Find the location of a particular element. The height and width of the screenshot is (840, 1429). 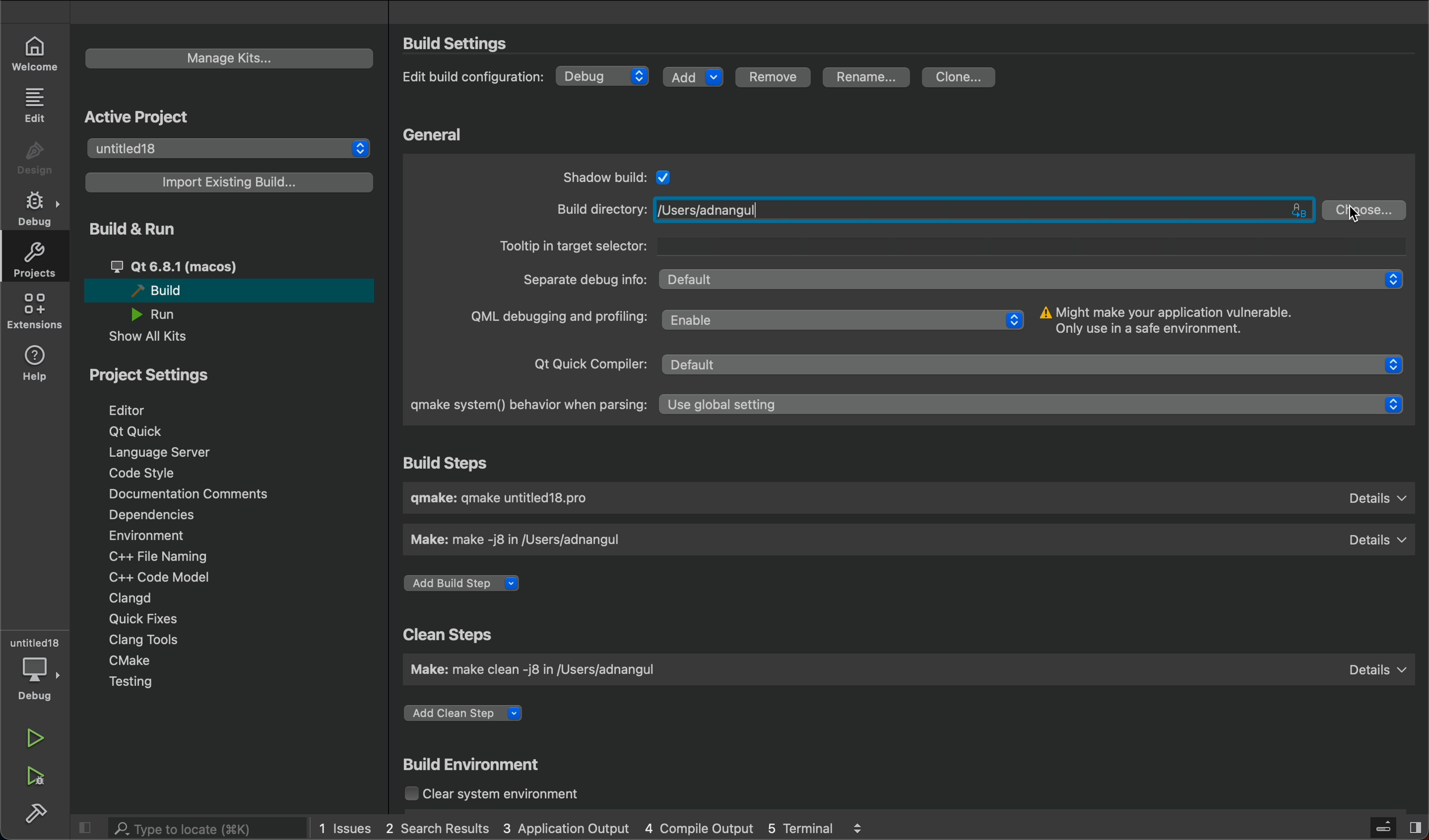

Default is located at coordinates (1036, 279).